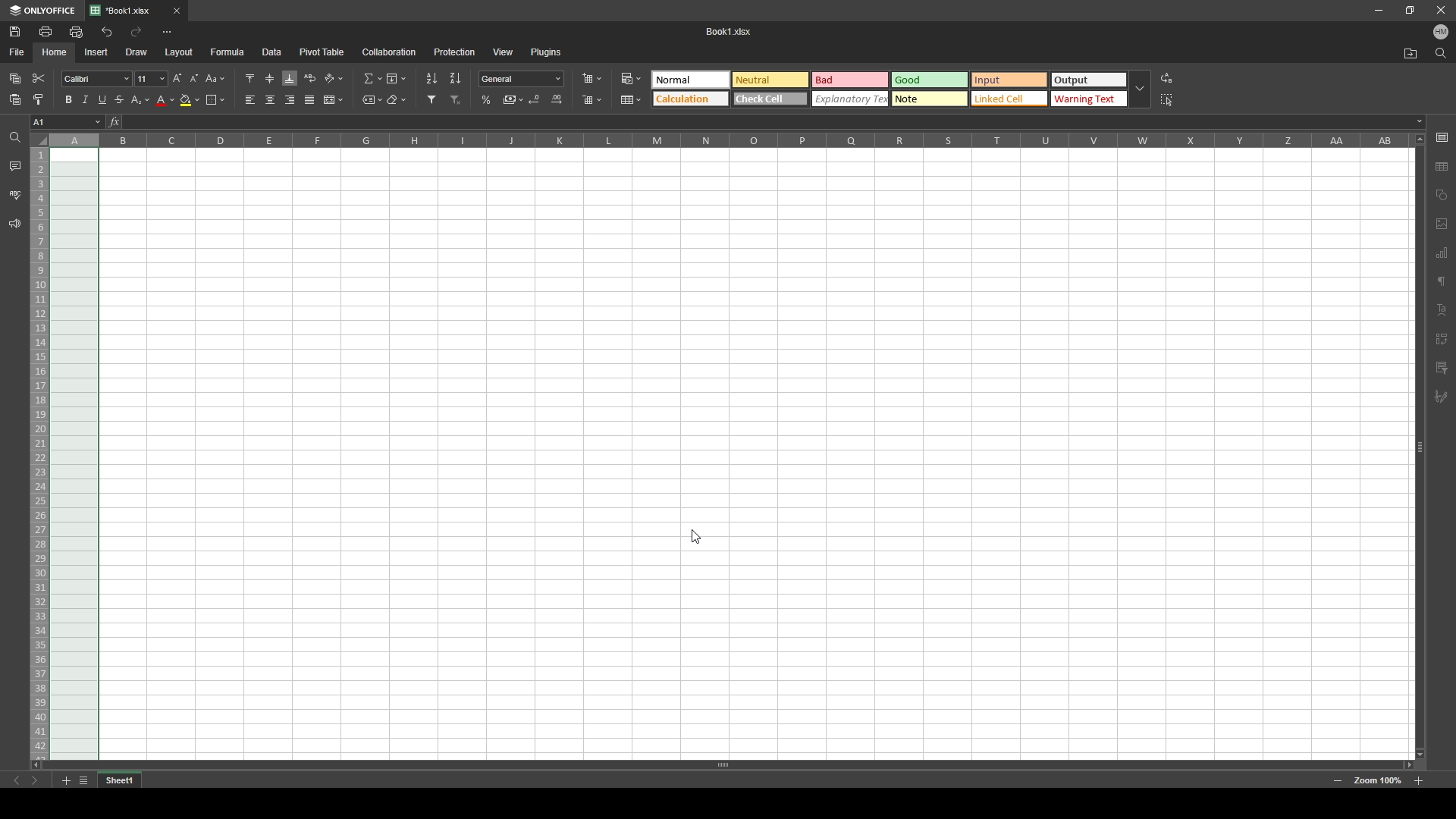  What do you see at coordinates (55, 52) in the screenshot?
I see `home` at bounding box center [55, 52].